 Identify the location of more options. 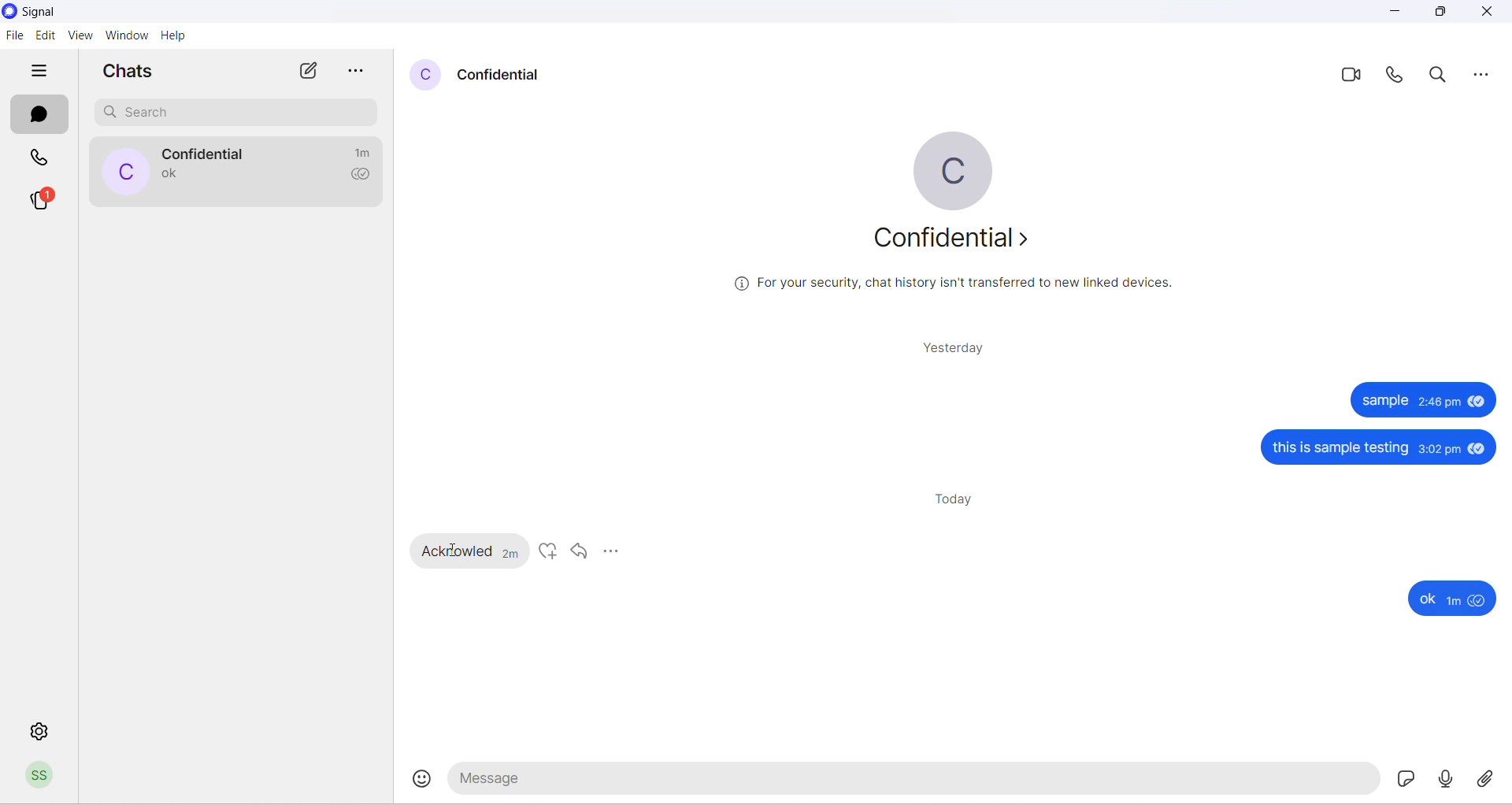
(358, 72).